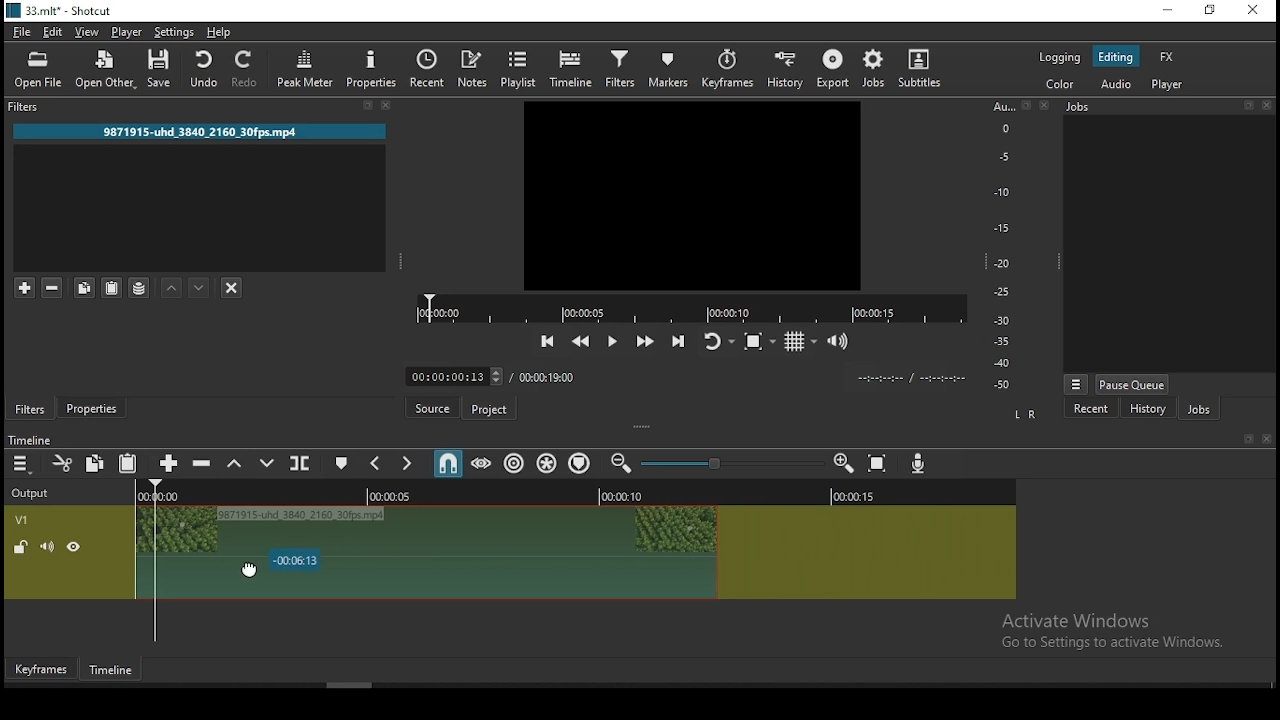 The height and width of the screenshot is (720, 1280). I want to click on open file, so click(39, 71).